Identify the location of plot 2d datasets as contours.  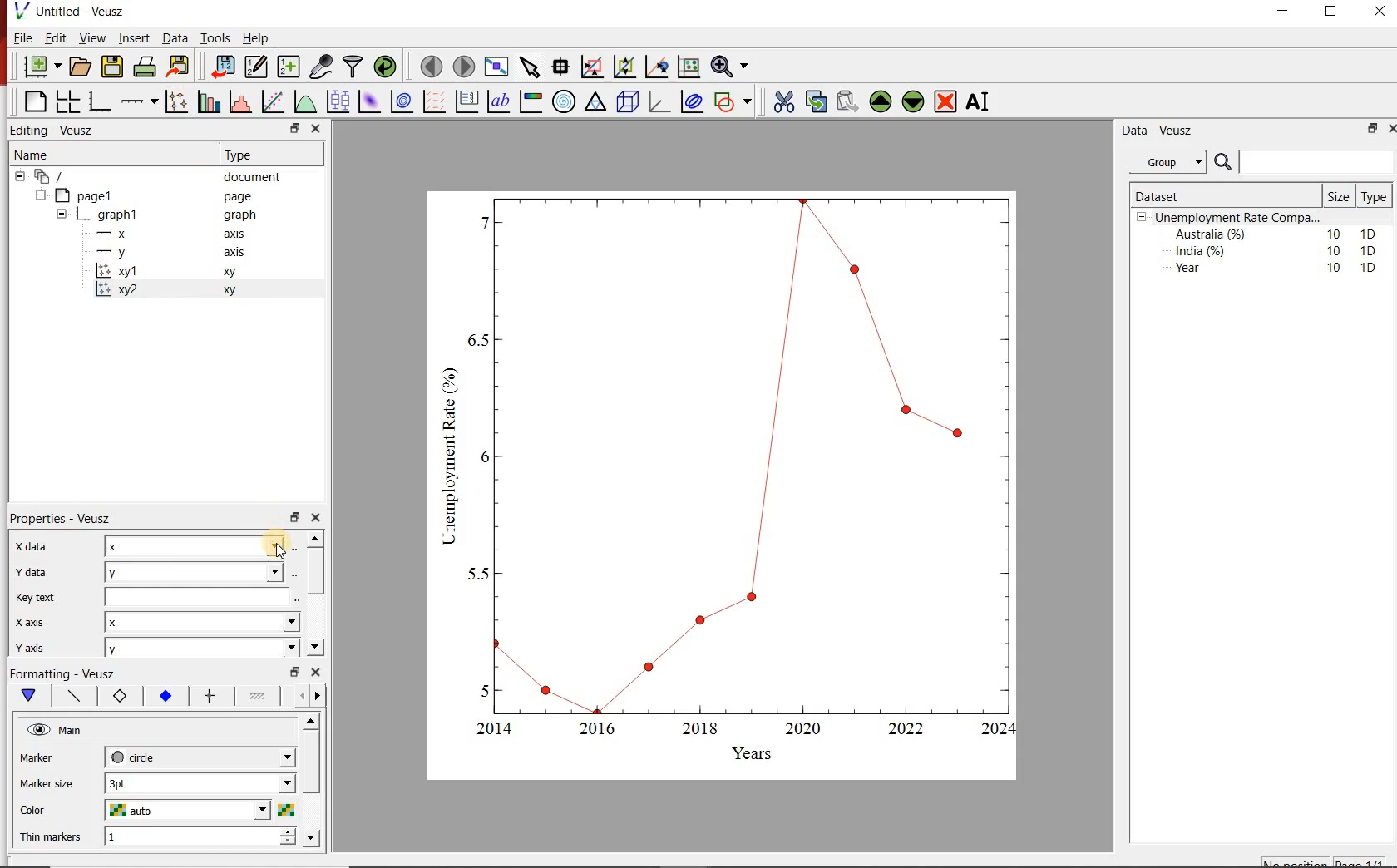
(401, 101).